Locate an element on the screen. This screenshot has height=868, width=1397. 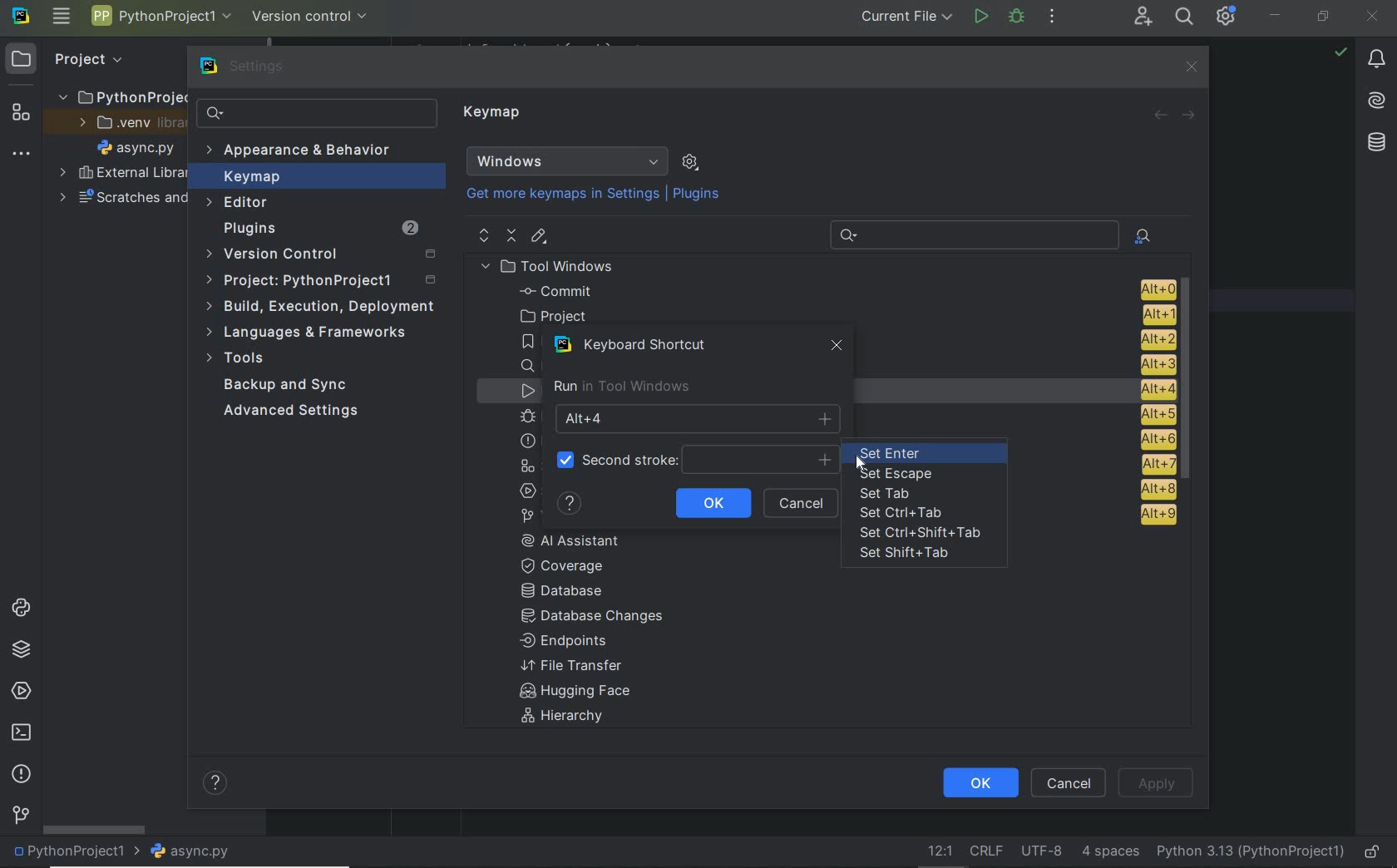
Cancel is located at coordinates (1071, 782).